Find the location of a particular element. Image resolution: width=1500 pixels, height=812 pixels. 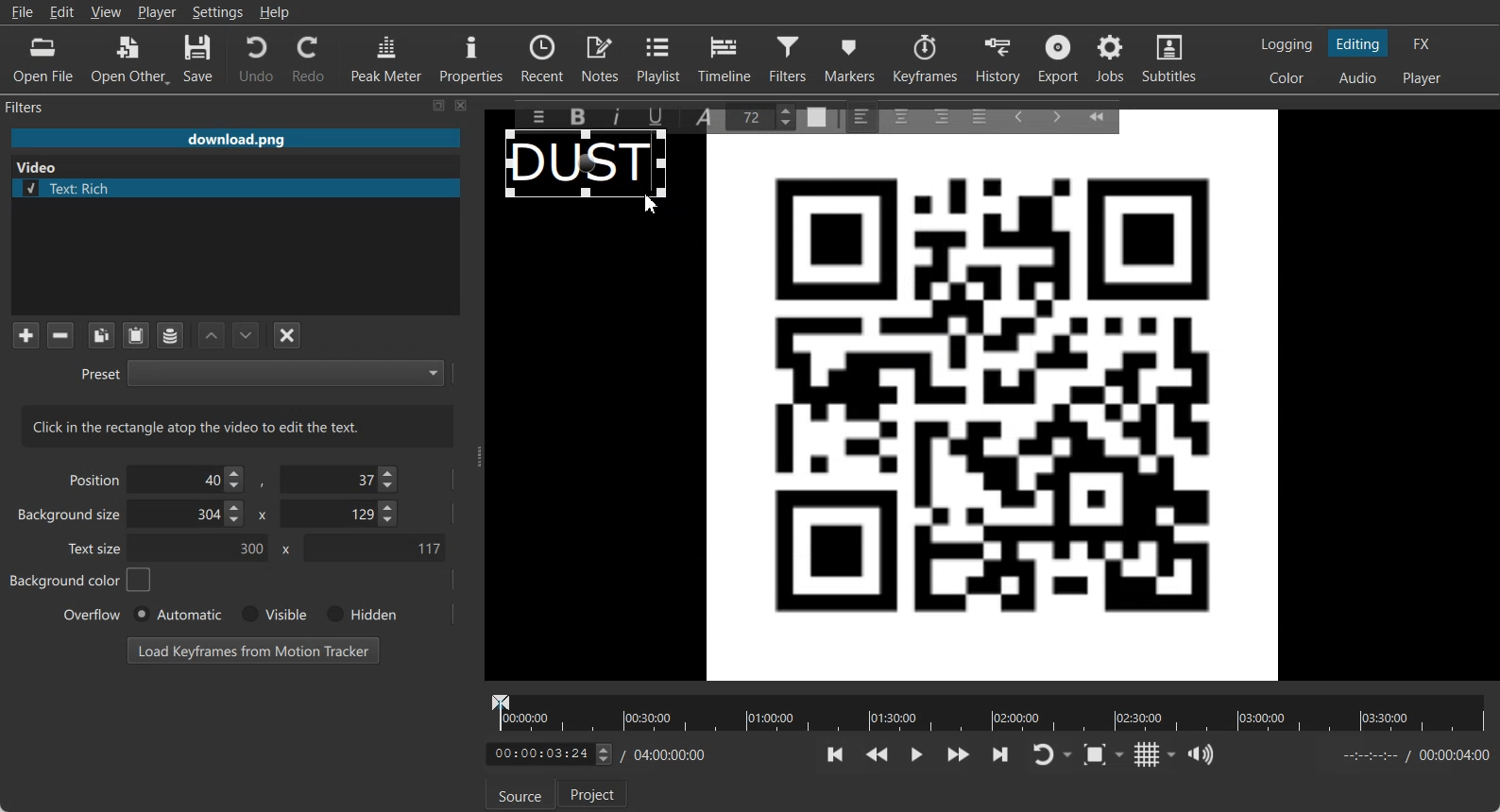

Player is located at coordinates (158, 12).